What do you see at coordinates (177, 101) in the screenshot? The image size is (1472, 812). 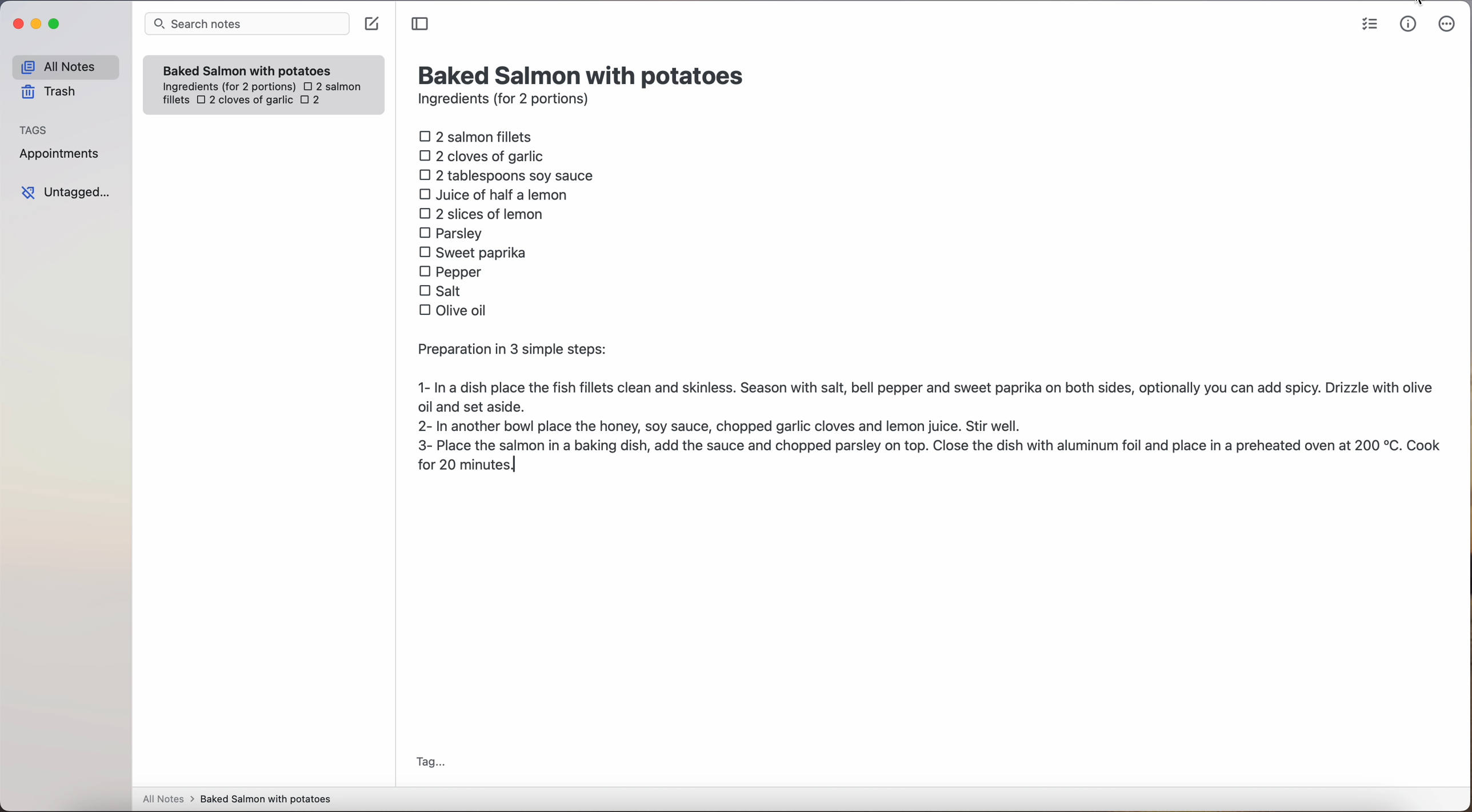 I see `fillets` at bounding box center [177, 101].